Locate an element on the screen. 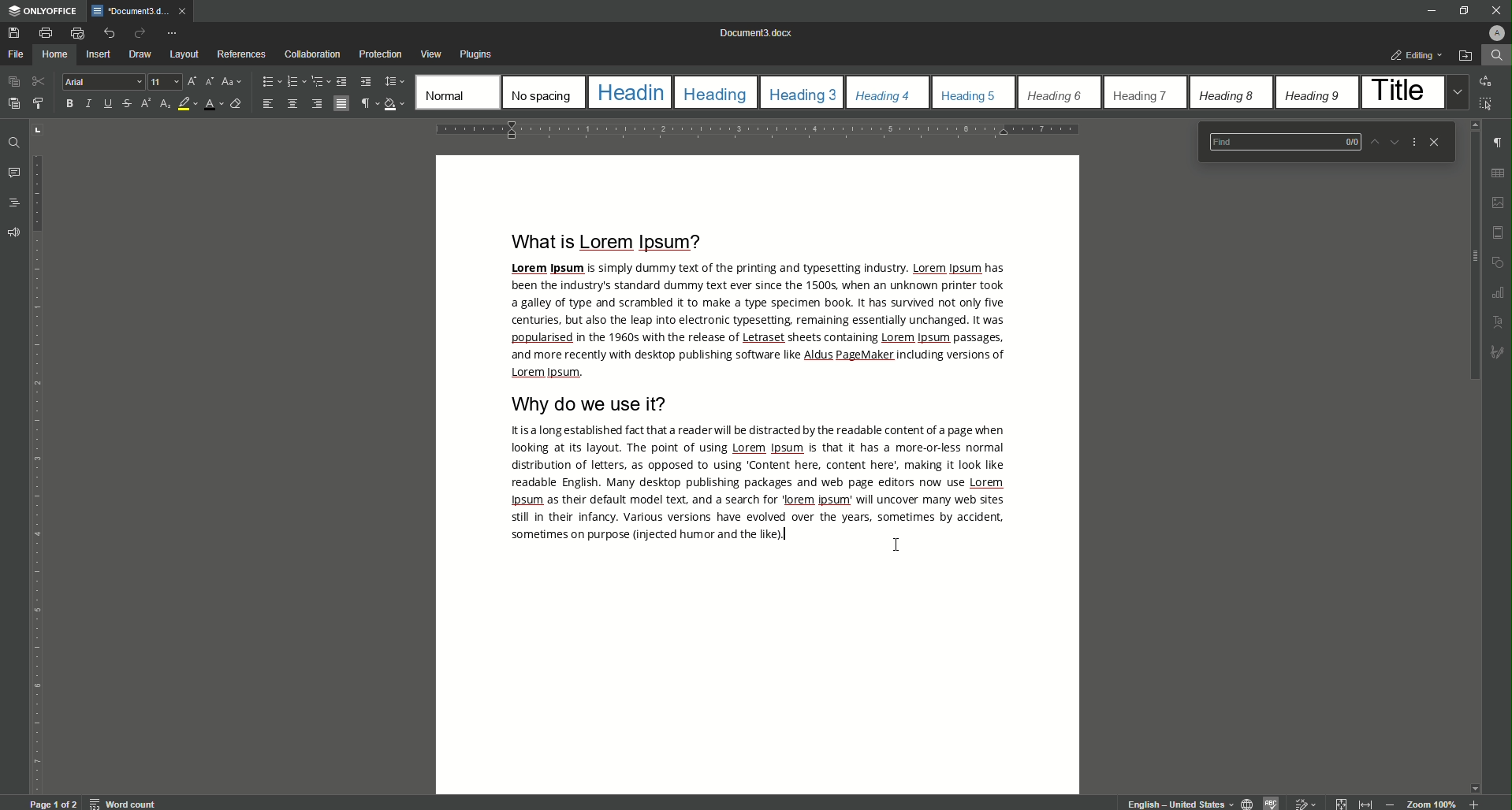 The height and width of the screenshot is (810, 1512). Quick Print is located at coordinates (73, 32).